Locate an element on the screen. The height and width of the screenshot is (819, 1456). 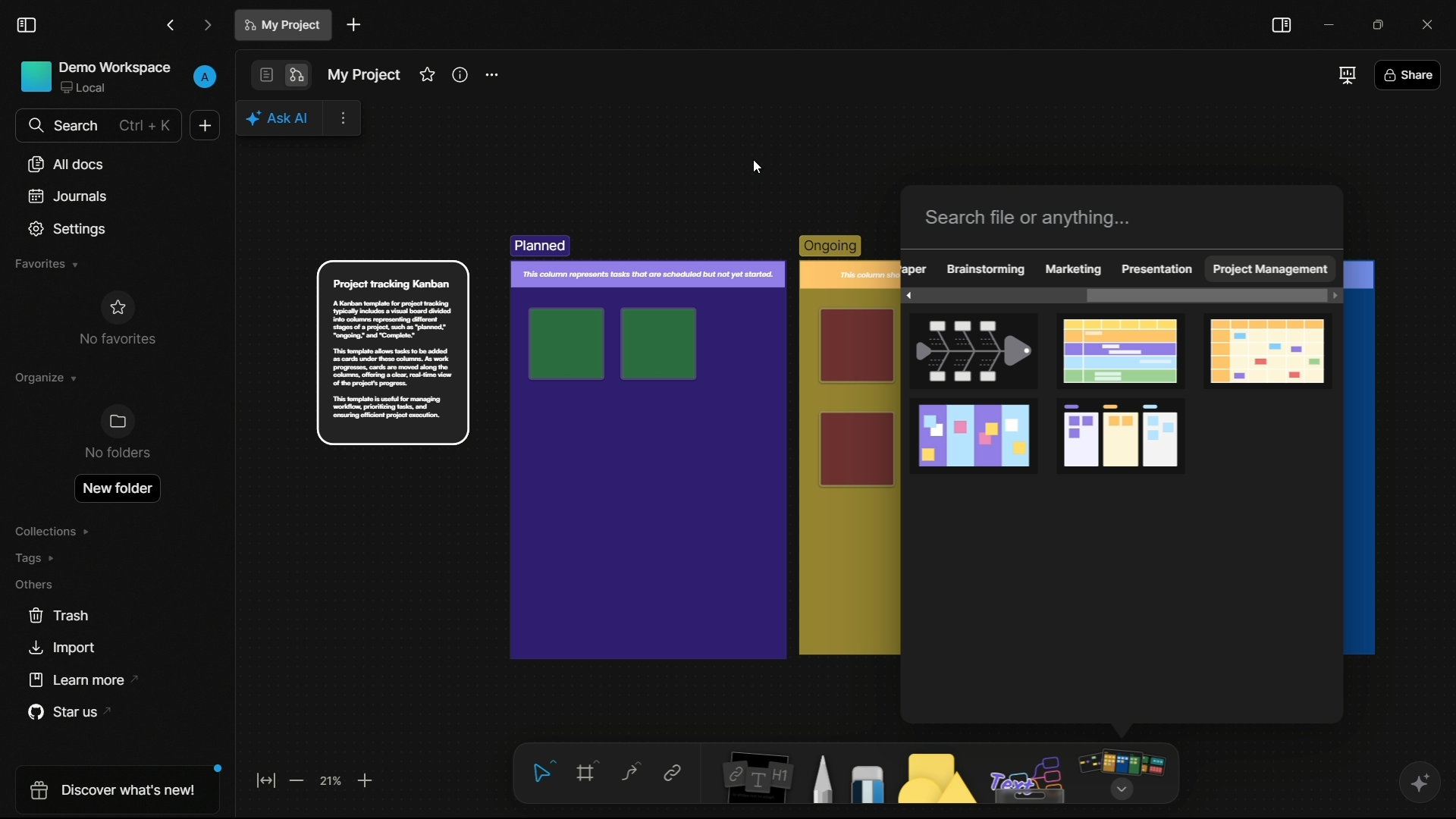
more options is located at coordinates (344, 120).